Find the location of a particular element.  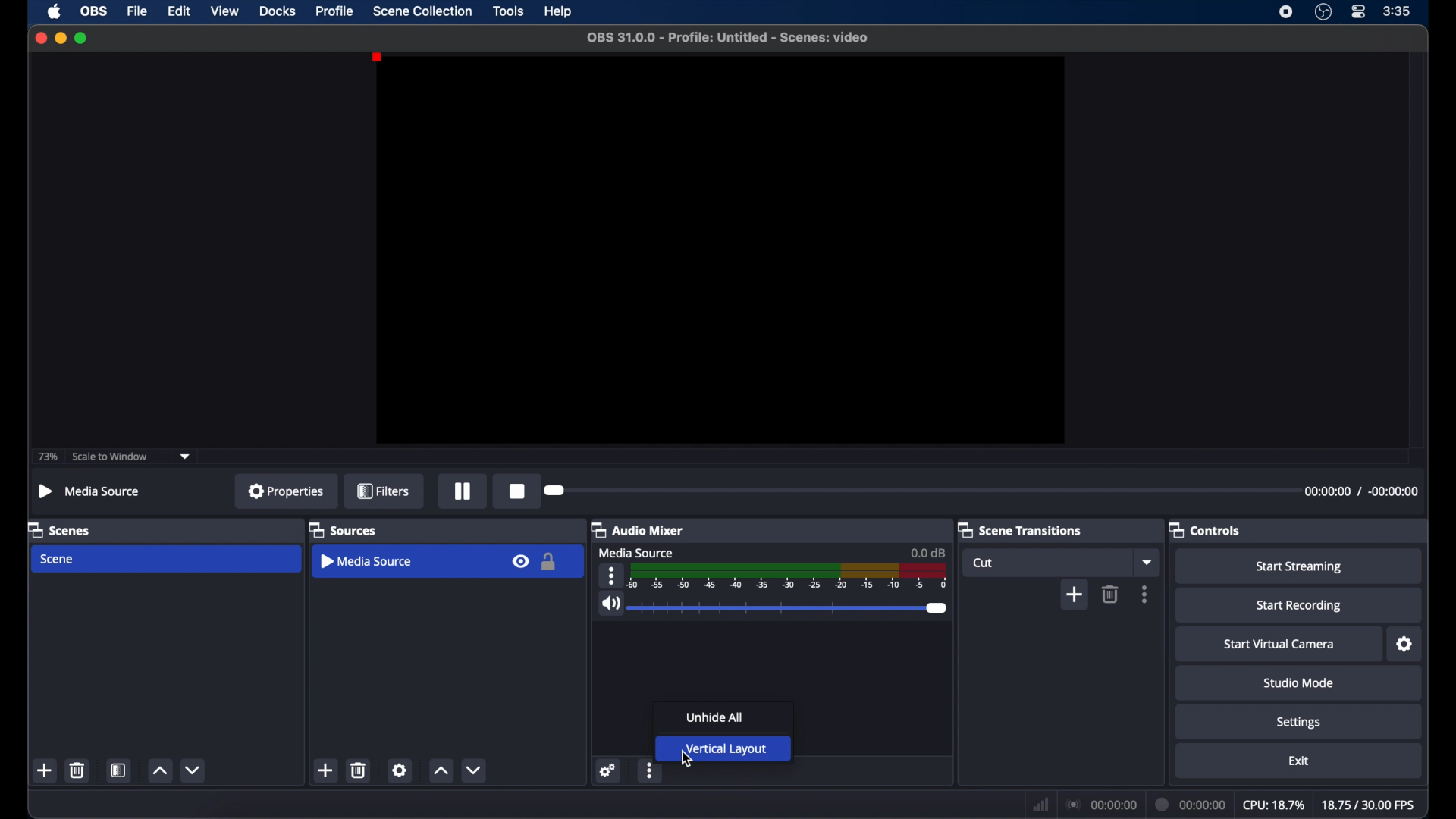

duration is located at coordinates (1191, 804).